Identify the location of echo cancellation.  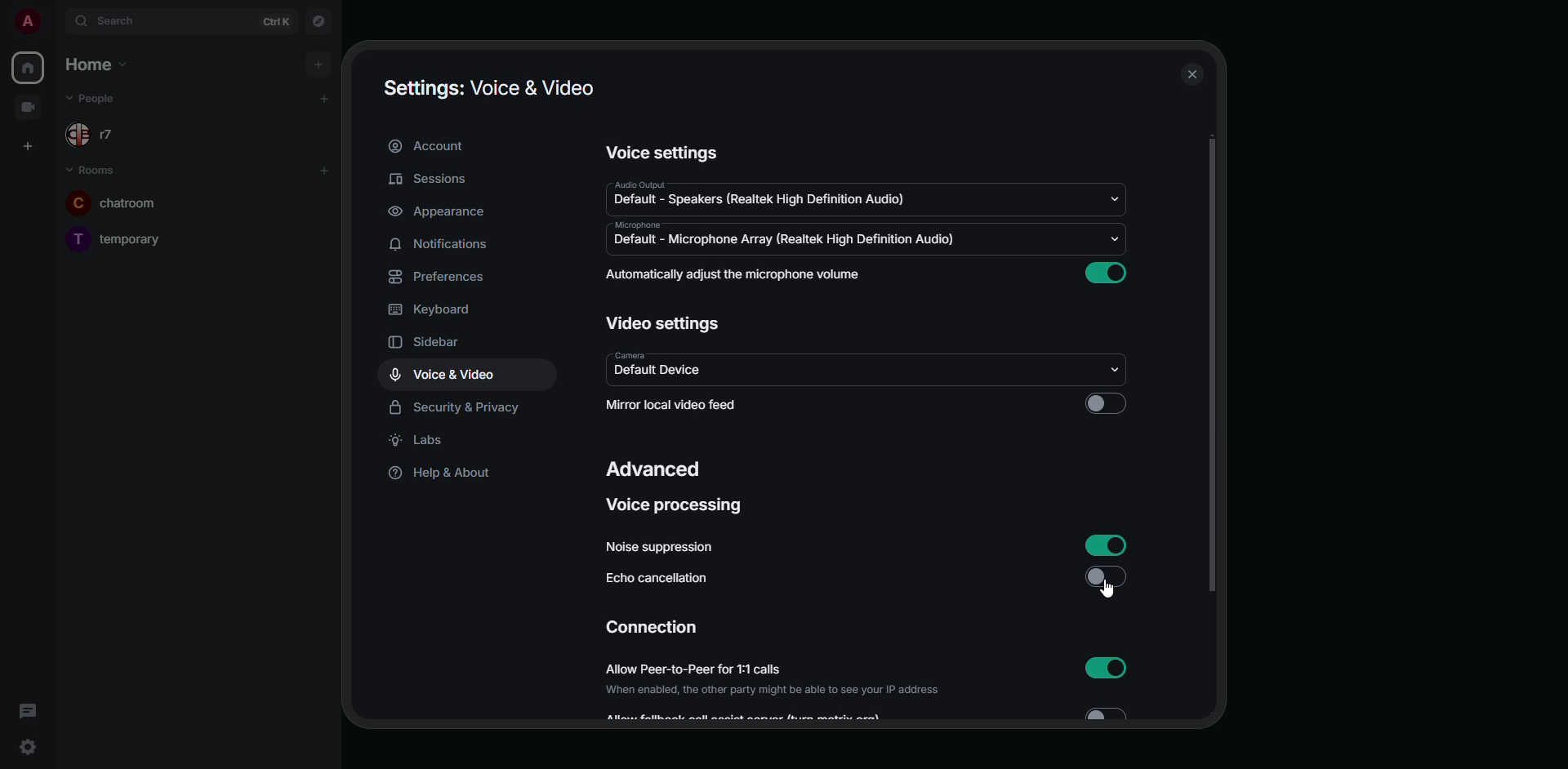
(657, 580).